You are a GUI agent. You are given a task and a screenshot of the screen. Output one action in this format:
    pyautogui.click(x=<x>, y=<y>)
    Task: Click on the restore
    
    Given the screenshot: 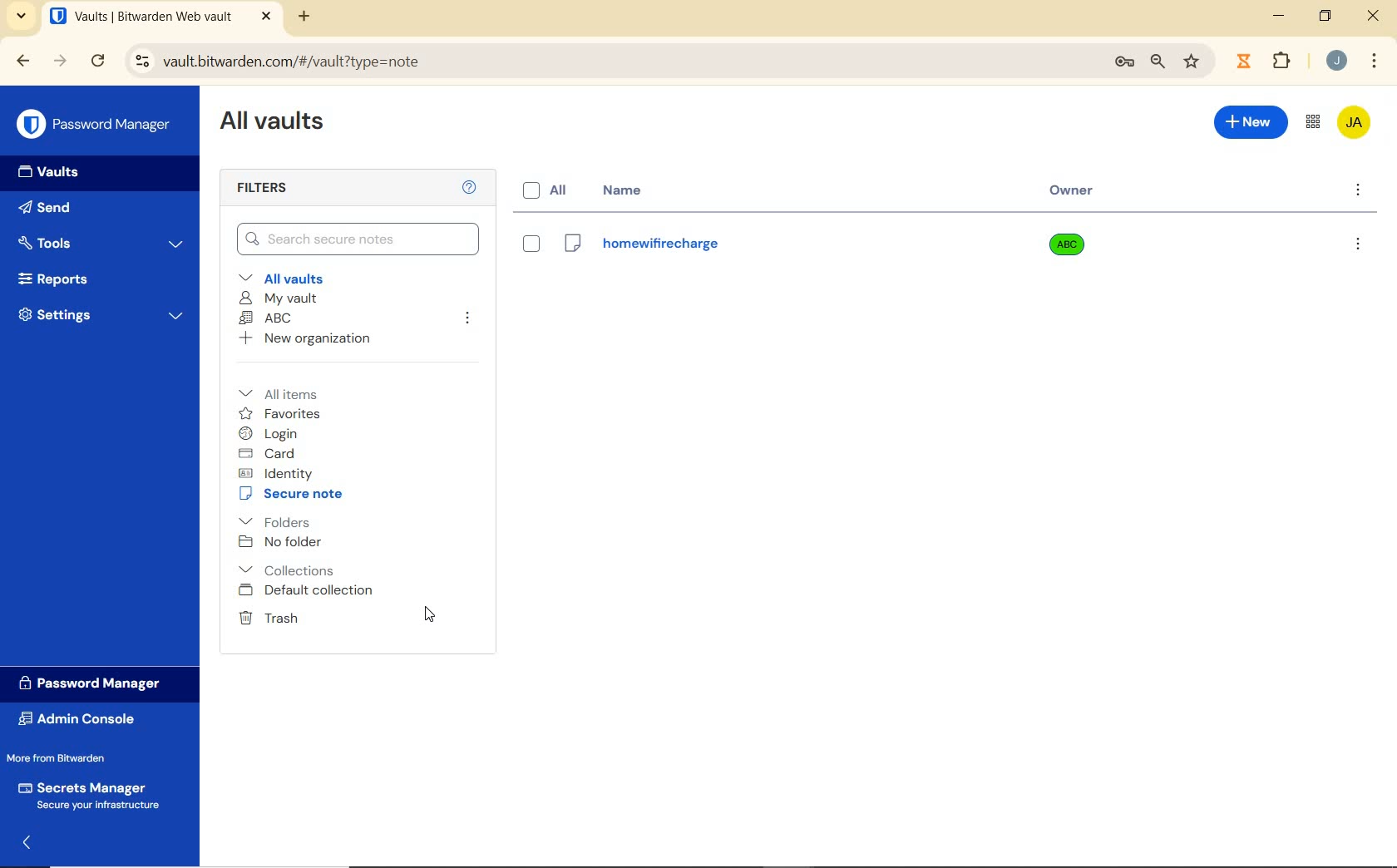 What is the action you would take?
    pyautogui.click(x=1325, y=16)
    